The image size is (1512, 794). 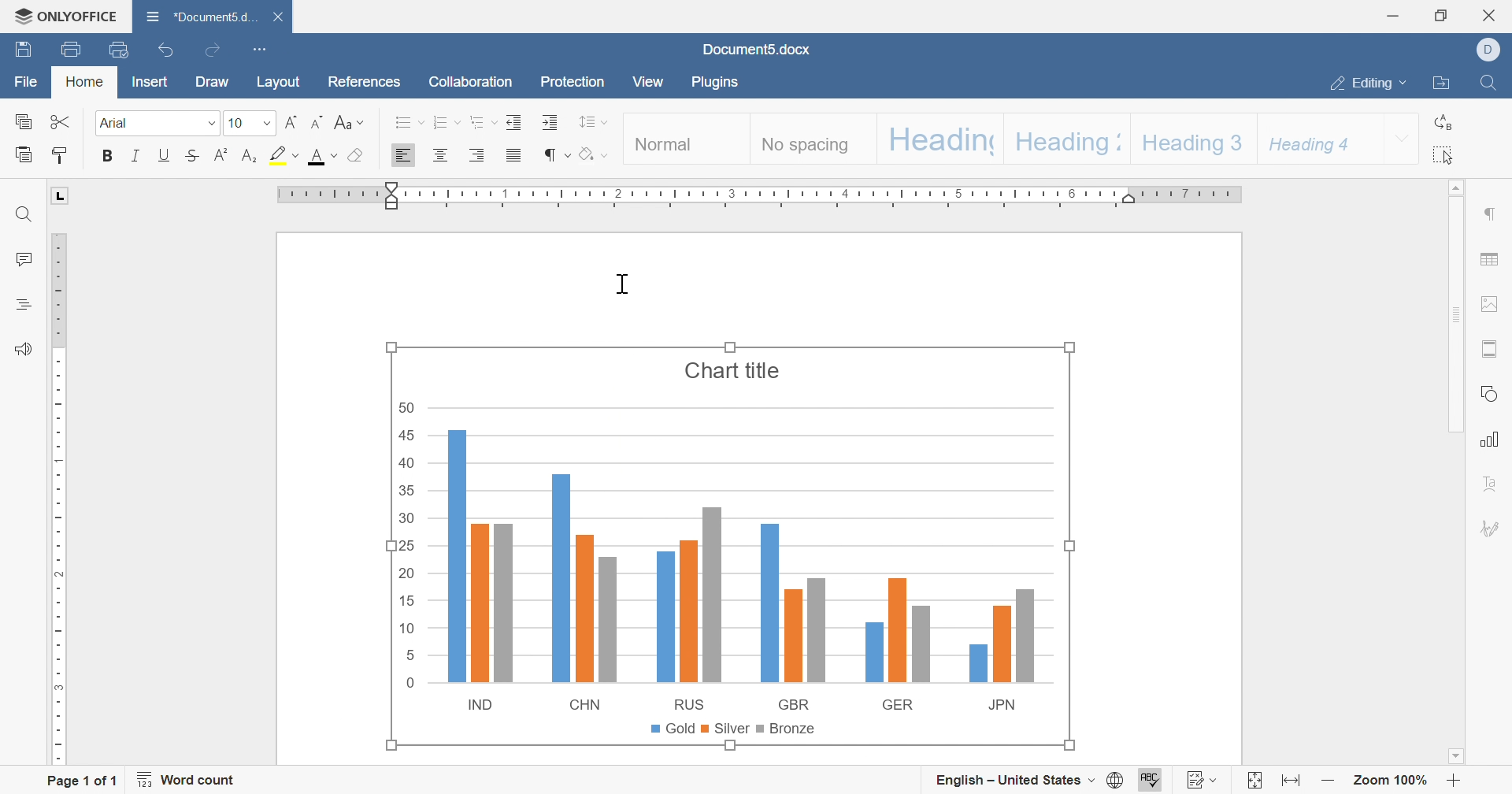 What do you see at coordinates (73, 50) in the screenshot?
I see `print` at bounding box center [73, 50].